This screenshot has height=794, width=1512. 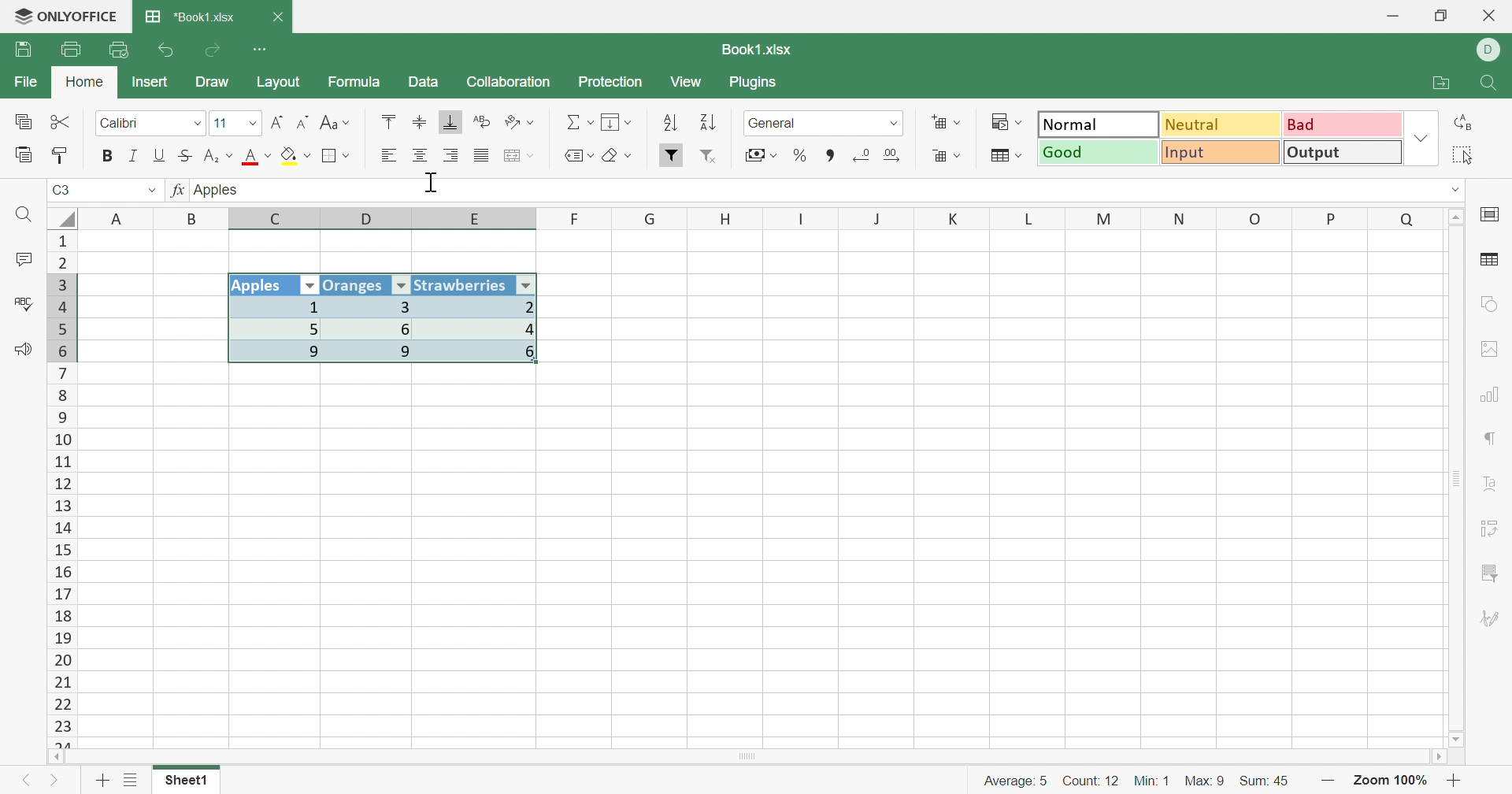 What do you see at coordinates (190, 18) in the screenshot?
I see `*Book1.xlsx` at bounding box center [190, 18].